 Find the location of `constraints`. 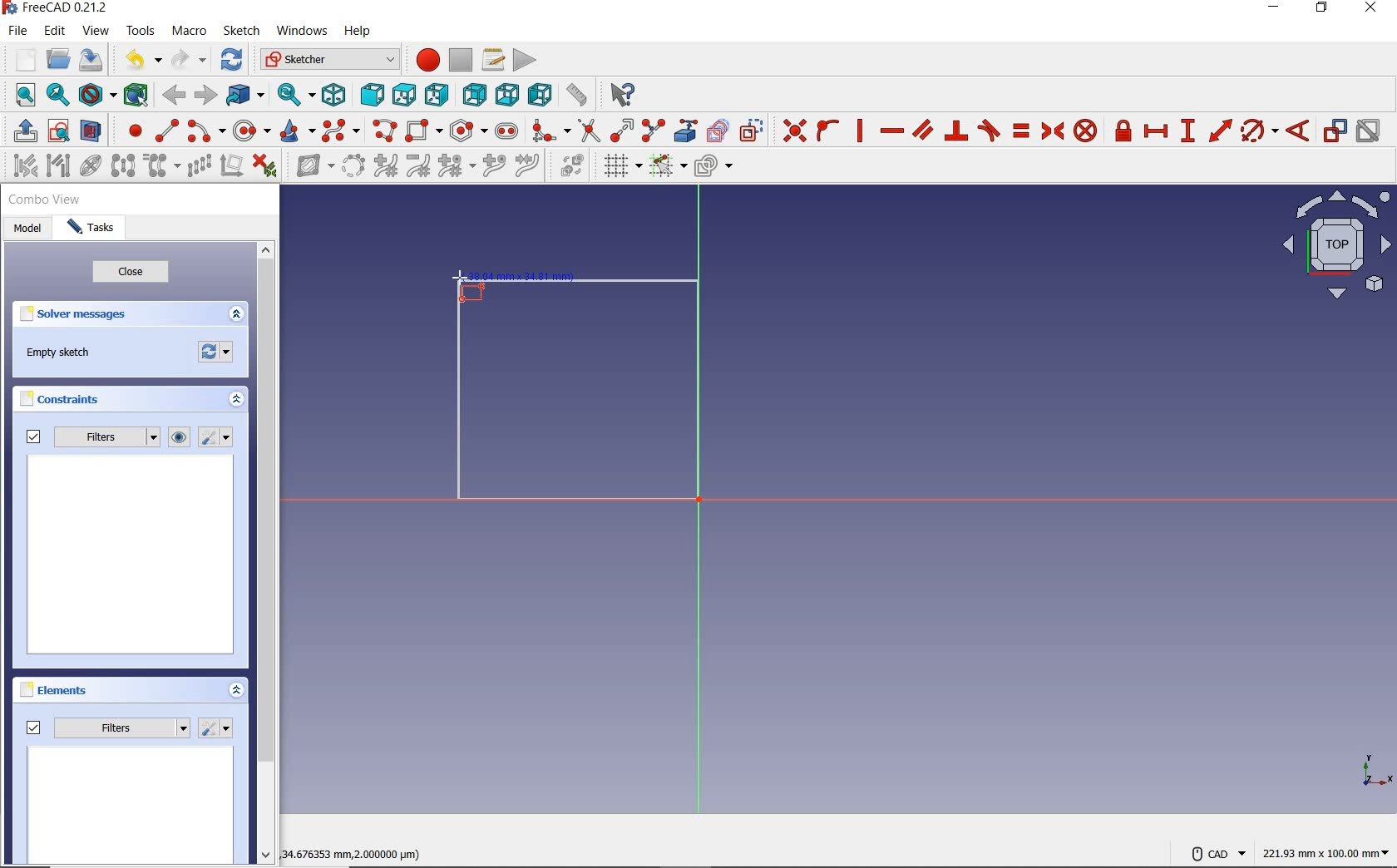

constraints is located at coordinates (64, 399).